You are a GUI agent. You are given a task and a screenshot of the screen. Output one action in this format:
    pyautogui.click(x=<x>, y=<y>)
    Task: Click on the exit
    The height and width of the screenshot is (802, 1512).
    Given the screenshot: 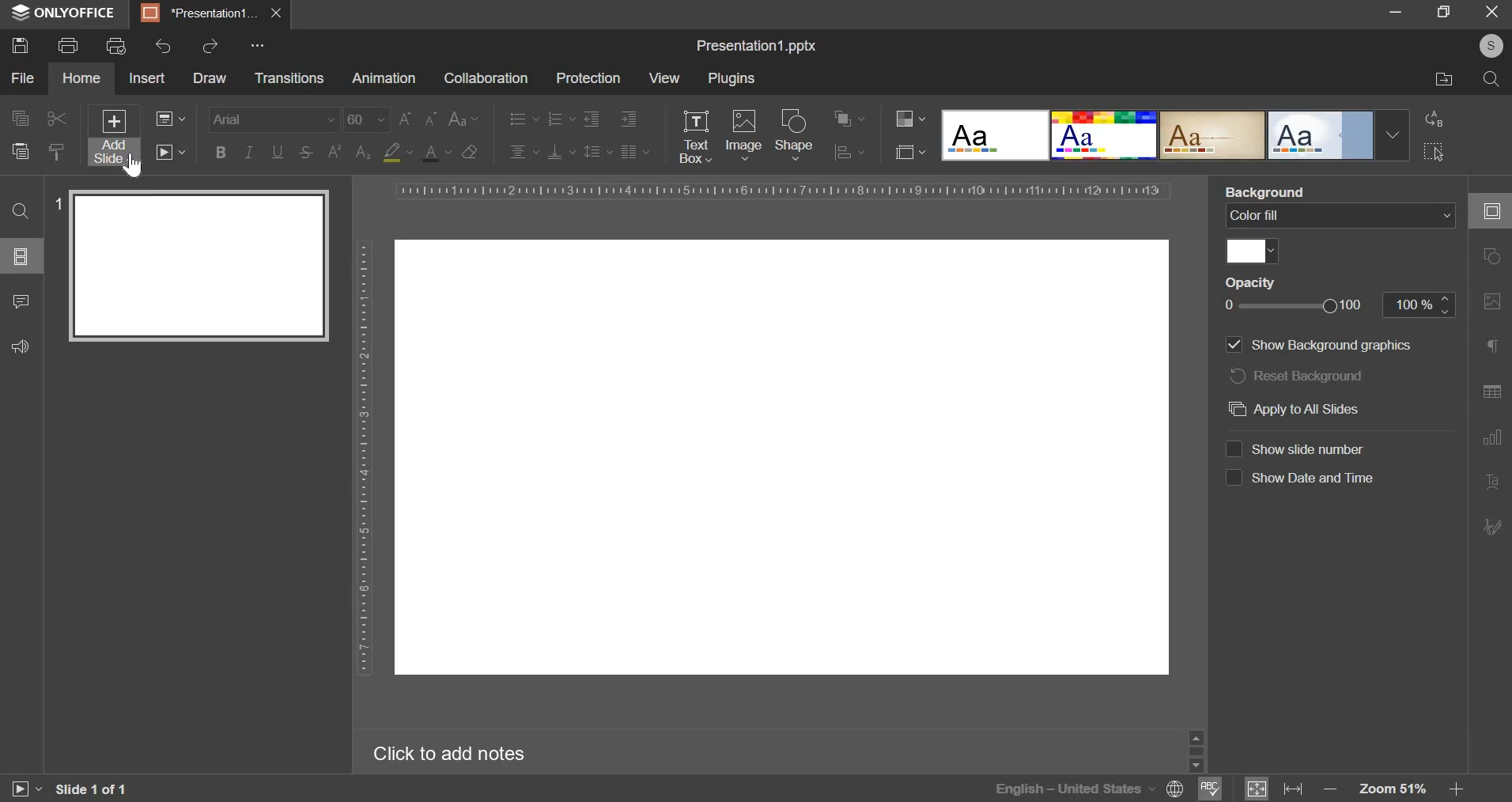 What is the action you would take?
    pyautogui.click(x=1493, y=10)
    